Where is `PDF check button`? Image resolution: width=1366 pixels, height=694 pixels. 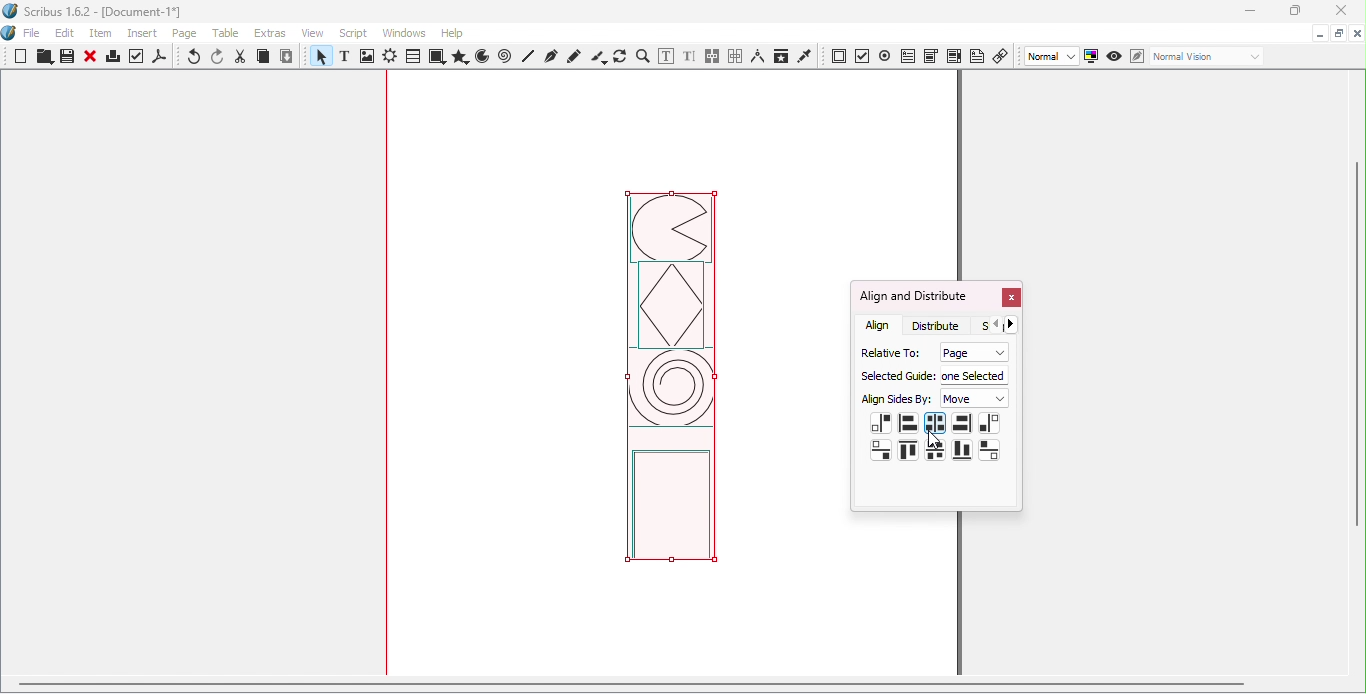 PDF check button is located at coordinates (863, 55).